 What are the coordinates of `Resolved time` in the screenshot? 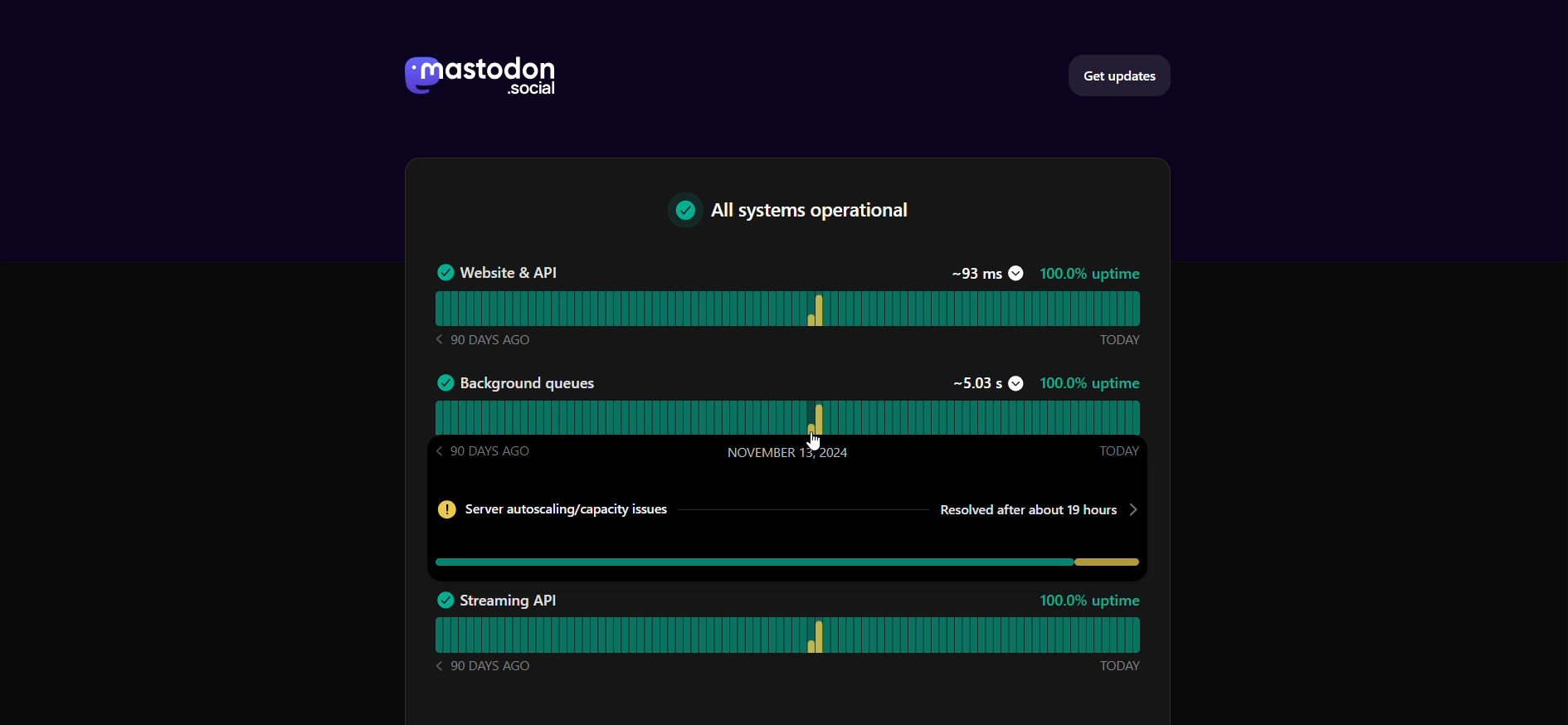 It's located at (1037, 511).